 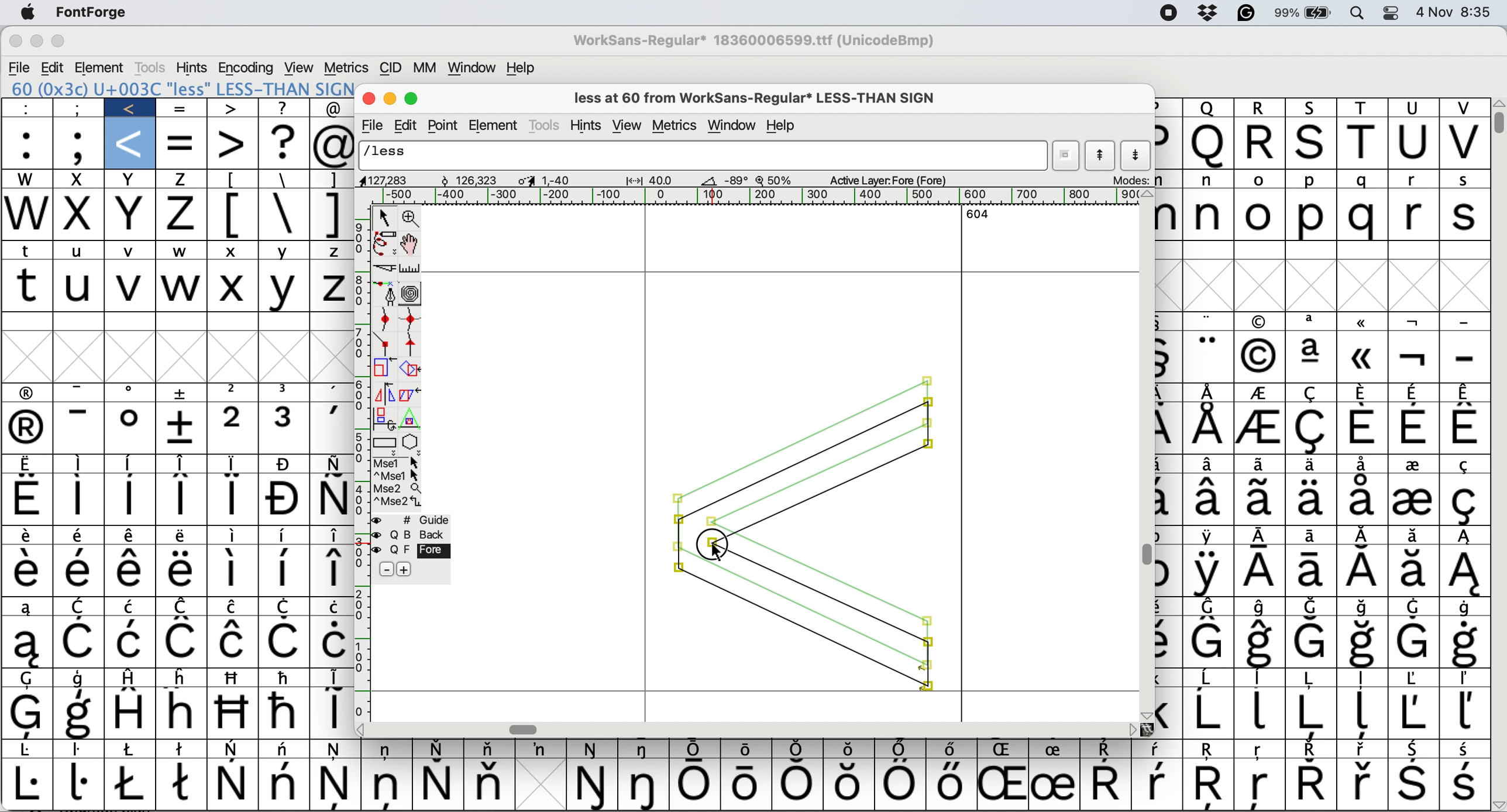 I want to click on Symbol, so click(x=130, y=394).